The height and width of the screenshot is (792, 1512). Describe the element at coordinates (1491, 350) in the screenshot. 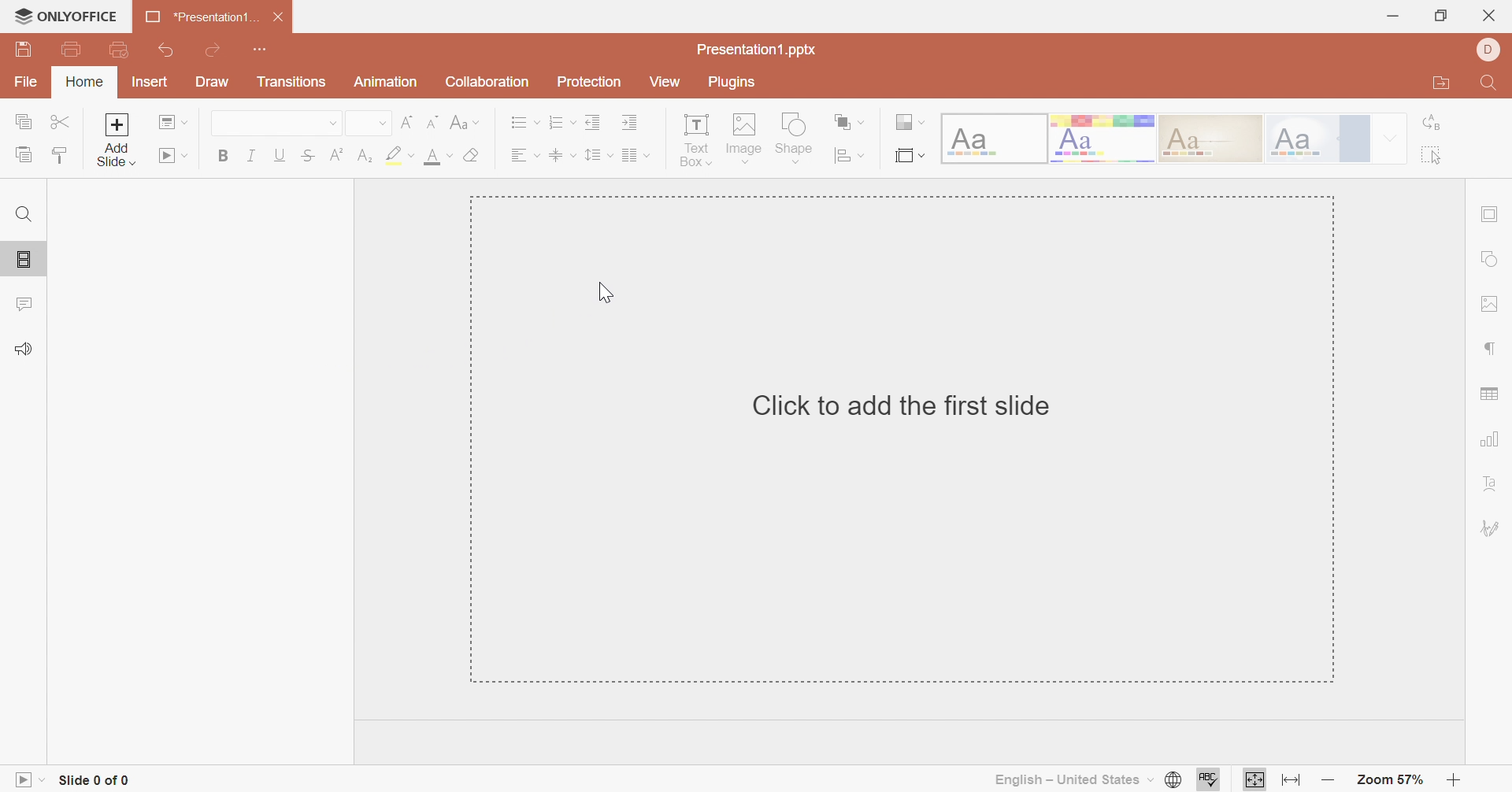

I see `Paragraph settings` at that location.